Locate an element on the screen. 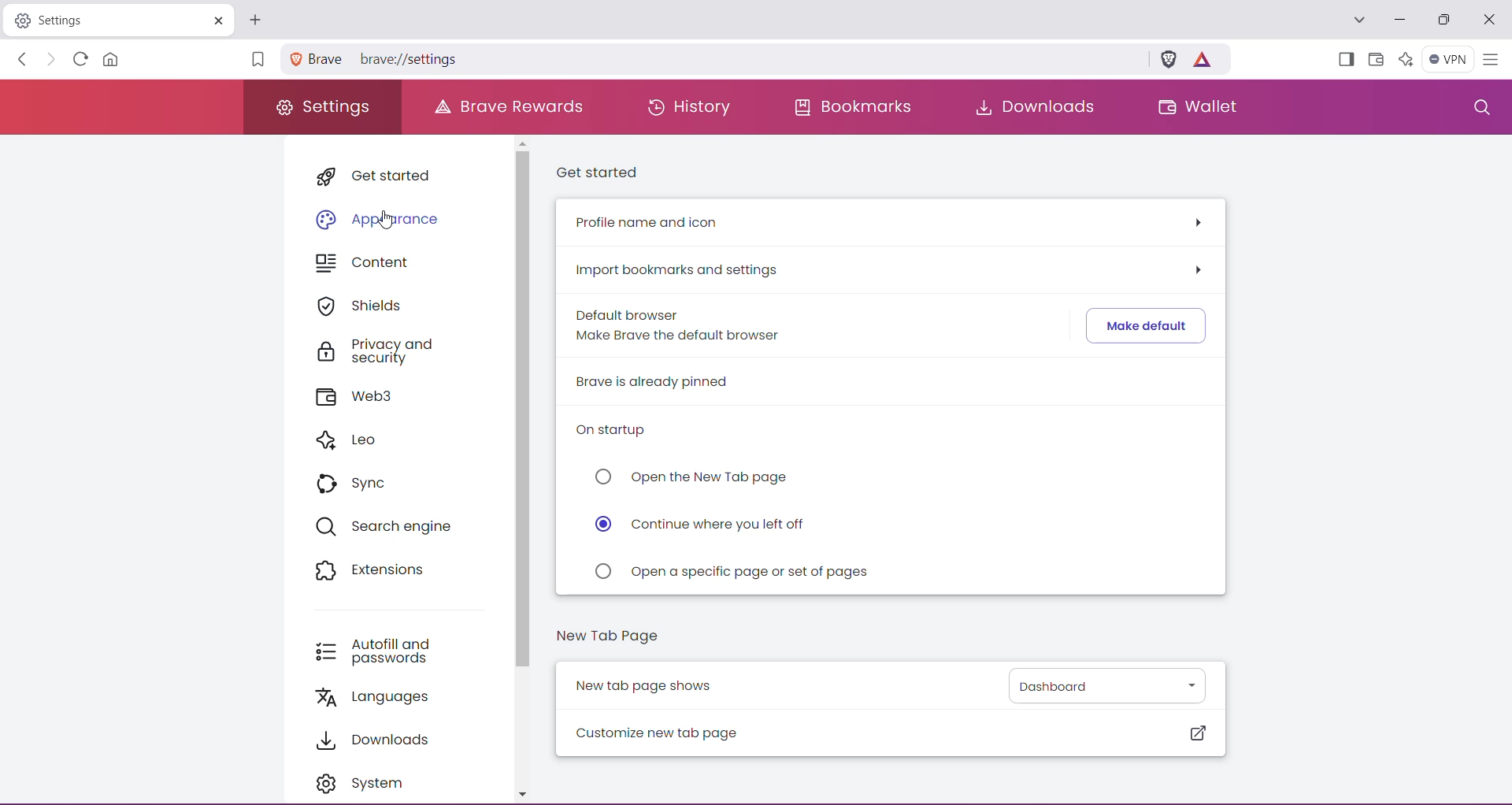 This screenshot has height=805, width=1512. cursor is located at coordinates (389, 219).